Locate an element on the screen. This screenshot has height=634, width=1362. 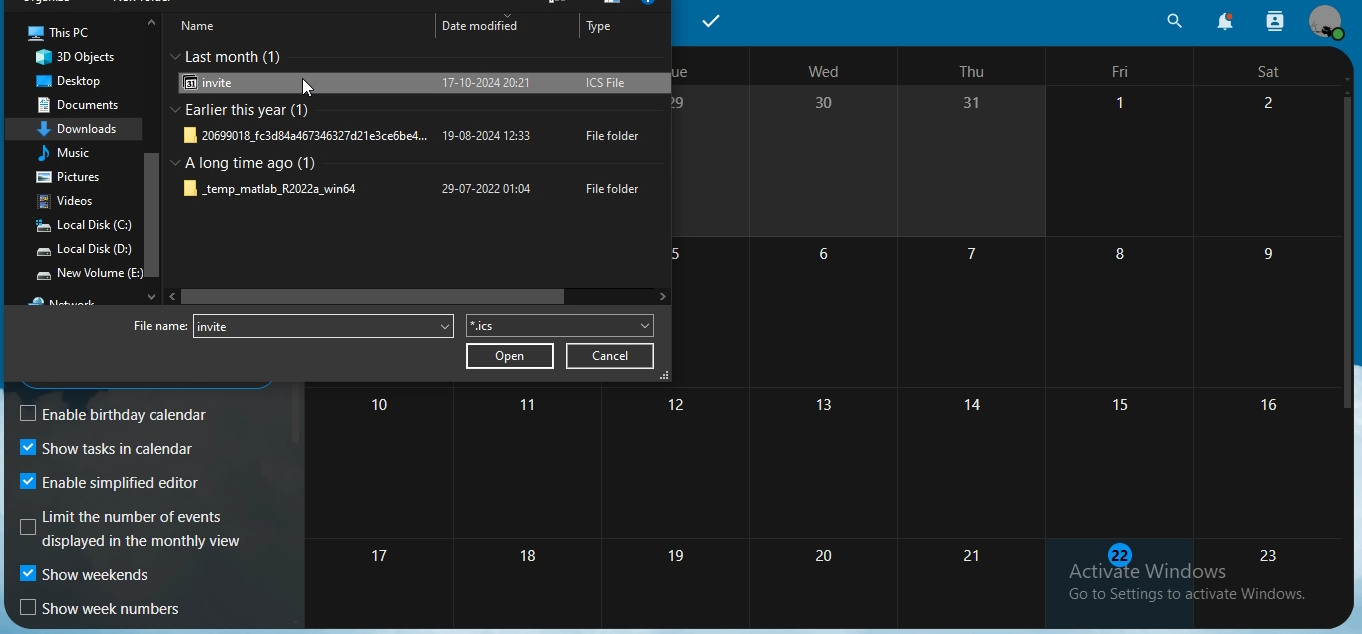
invite is located at coordinates (414, 85).